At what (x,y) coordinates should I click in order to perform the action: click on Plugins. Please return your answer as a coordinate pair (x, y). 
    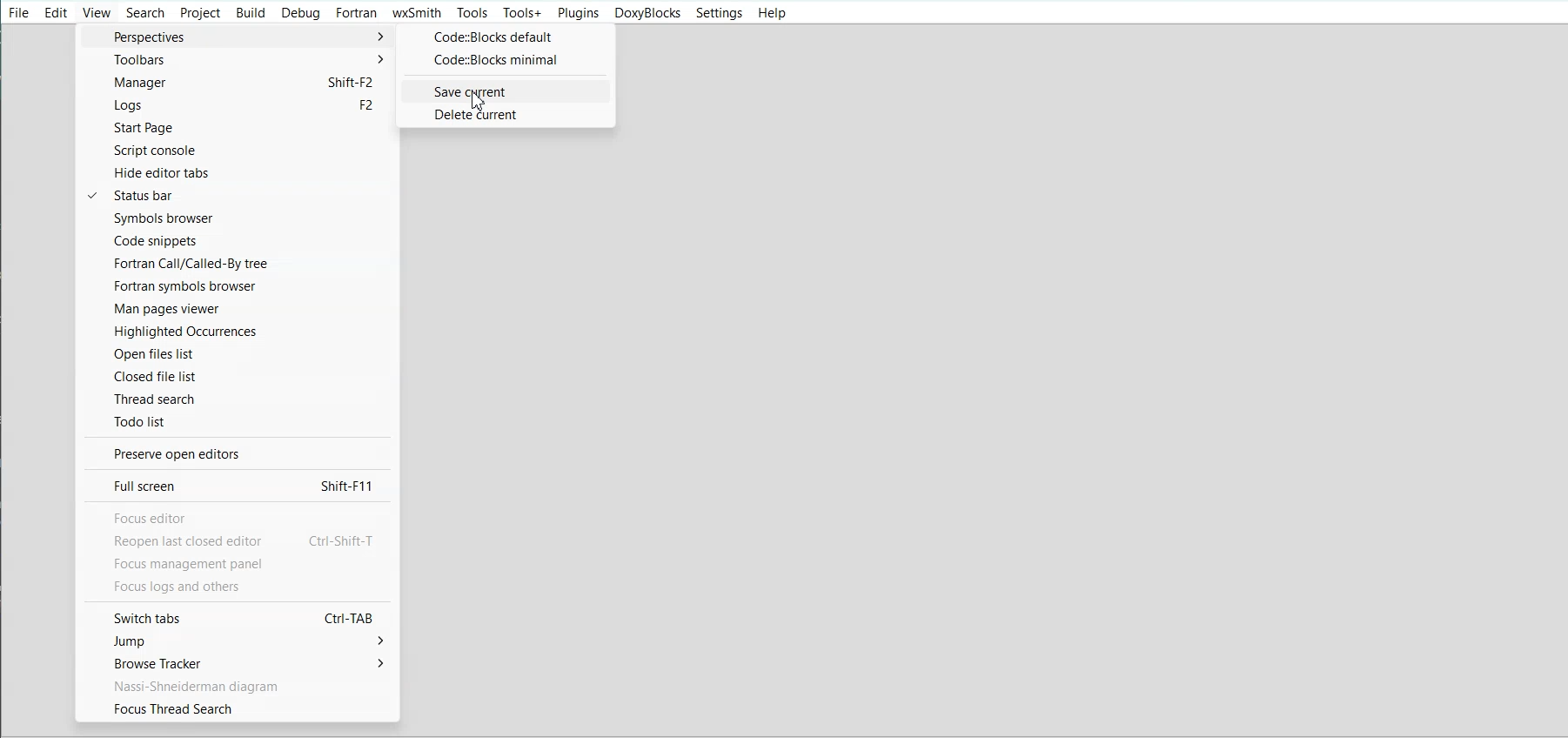
    Looking at the image, I should click on (578, 13).